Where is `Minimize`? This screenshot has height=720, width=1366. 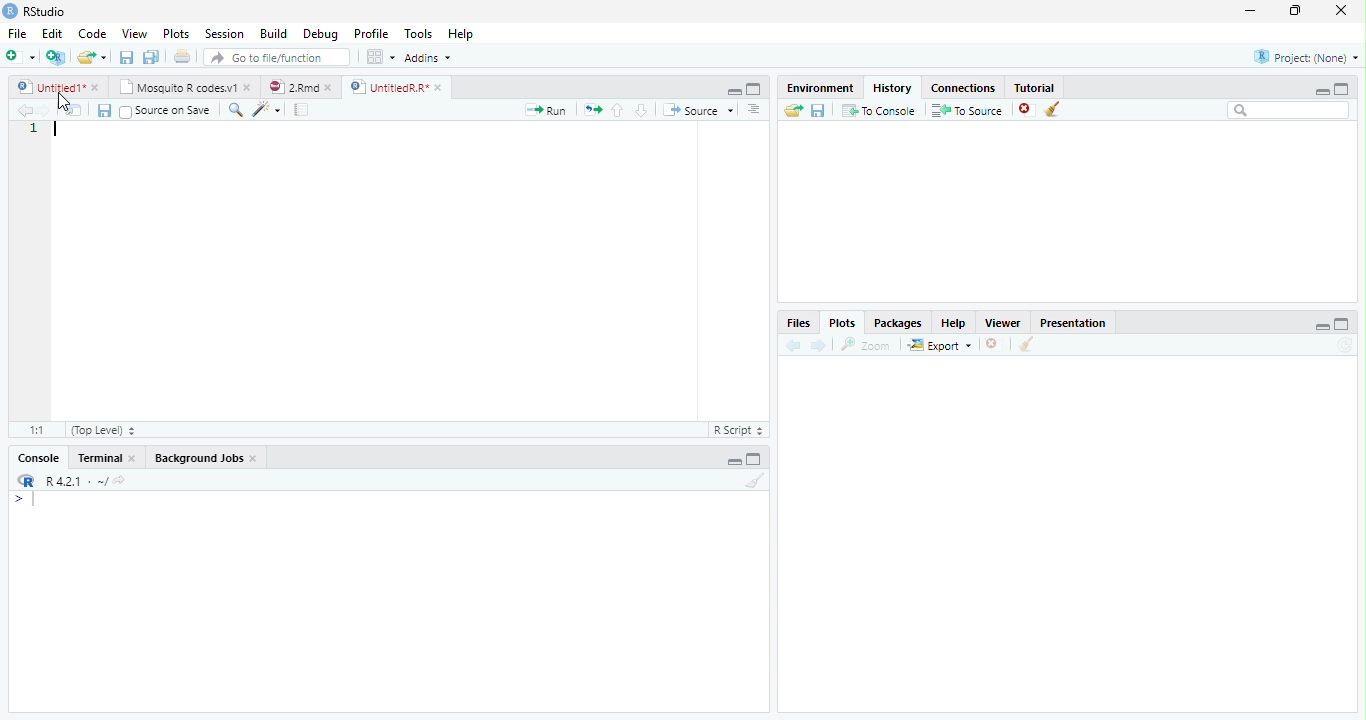
Minimize is located at coordinates (1321, 326).